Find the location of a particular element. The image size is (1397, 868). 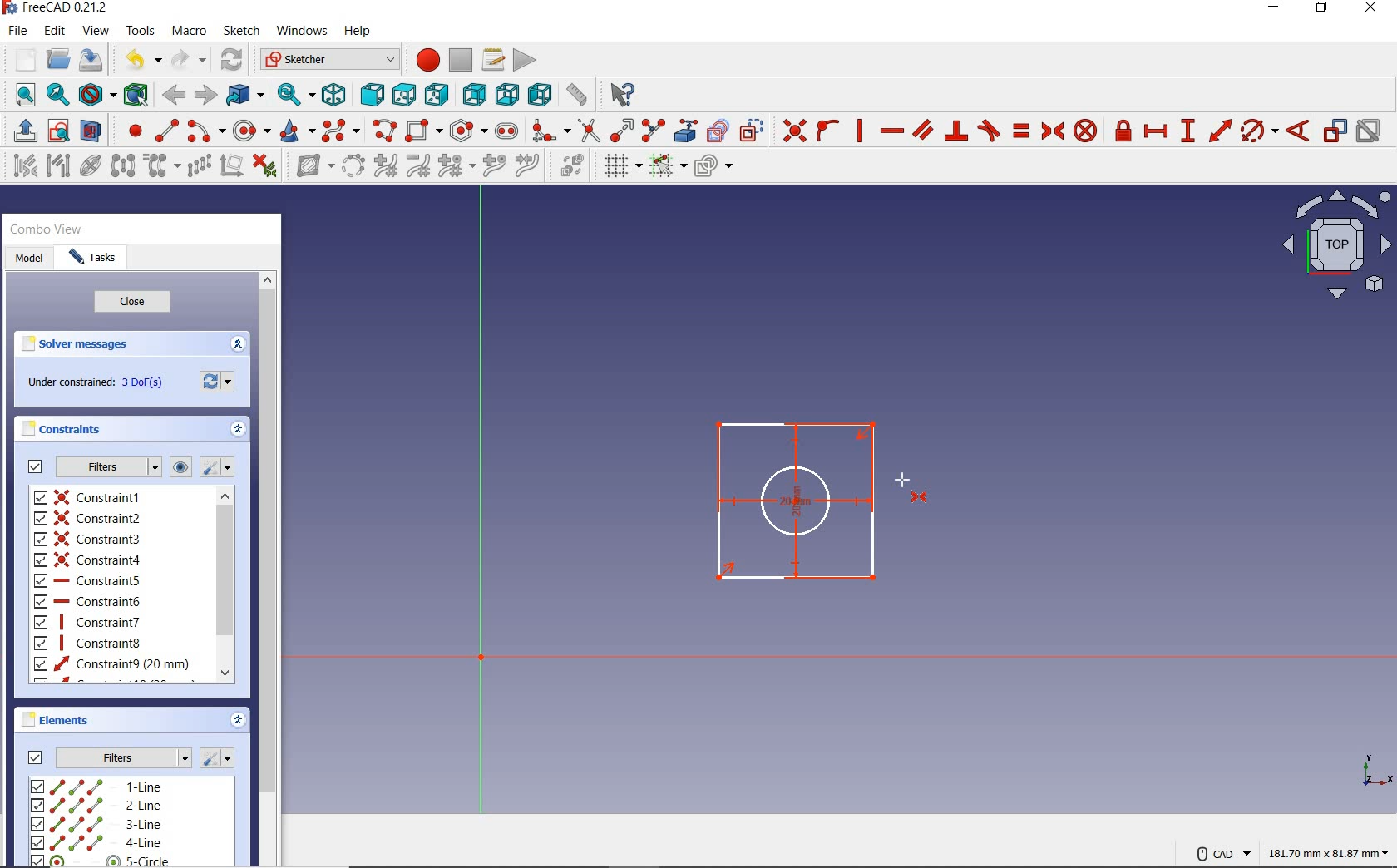

toggle driving/reference constraint  is located at coordinates (1335, 131).